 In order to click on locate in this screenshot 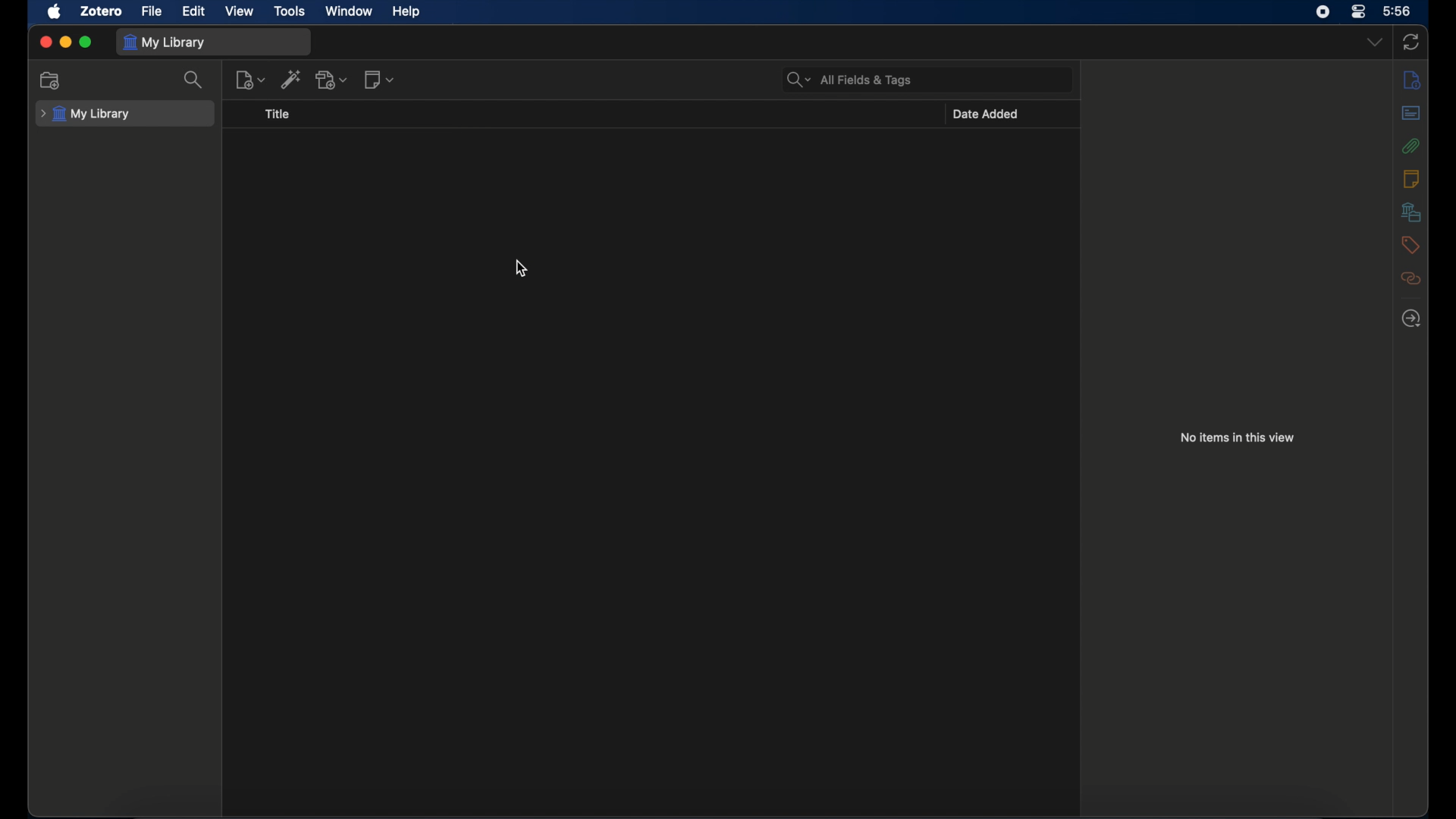, I will do `click(1412, 318)`.